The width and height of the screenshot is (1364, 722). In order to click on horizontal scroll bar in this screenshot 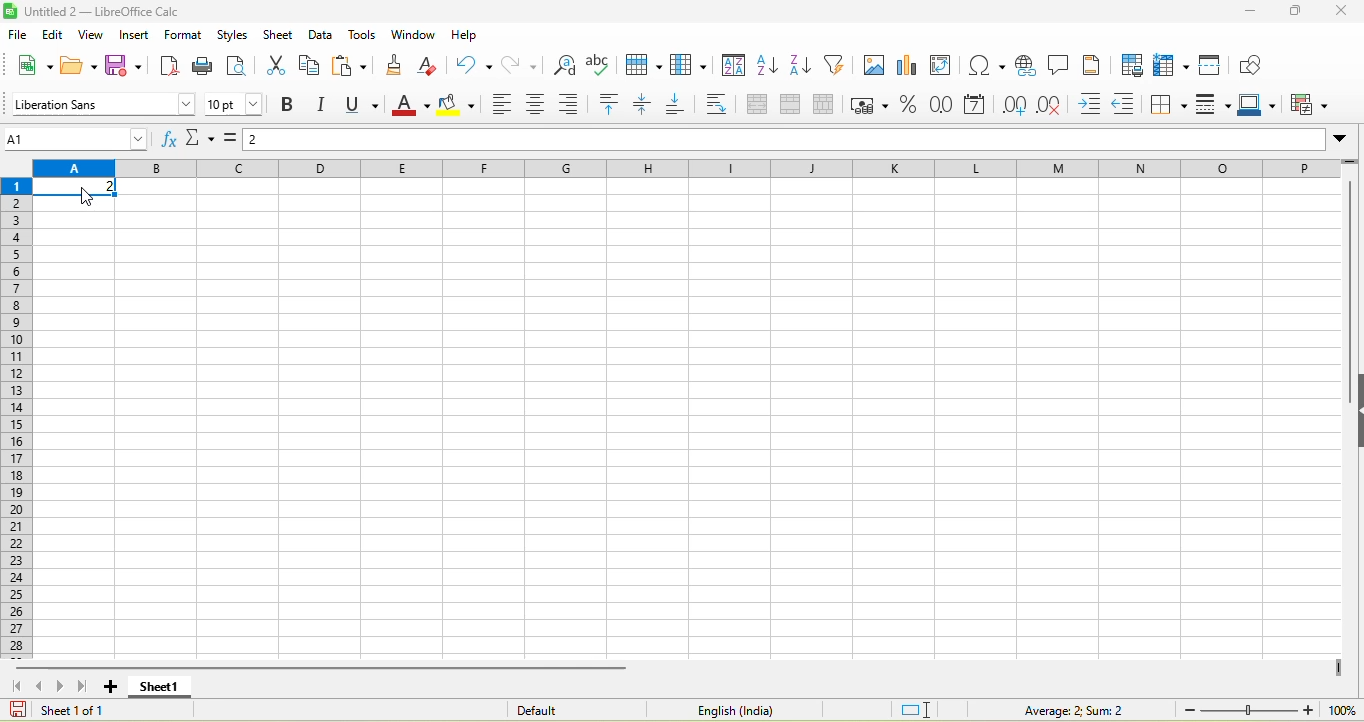, I will do `click(324, 667)`.